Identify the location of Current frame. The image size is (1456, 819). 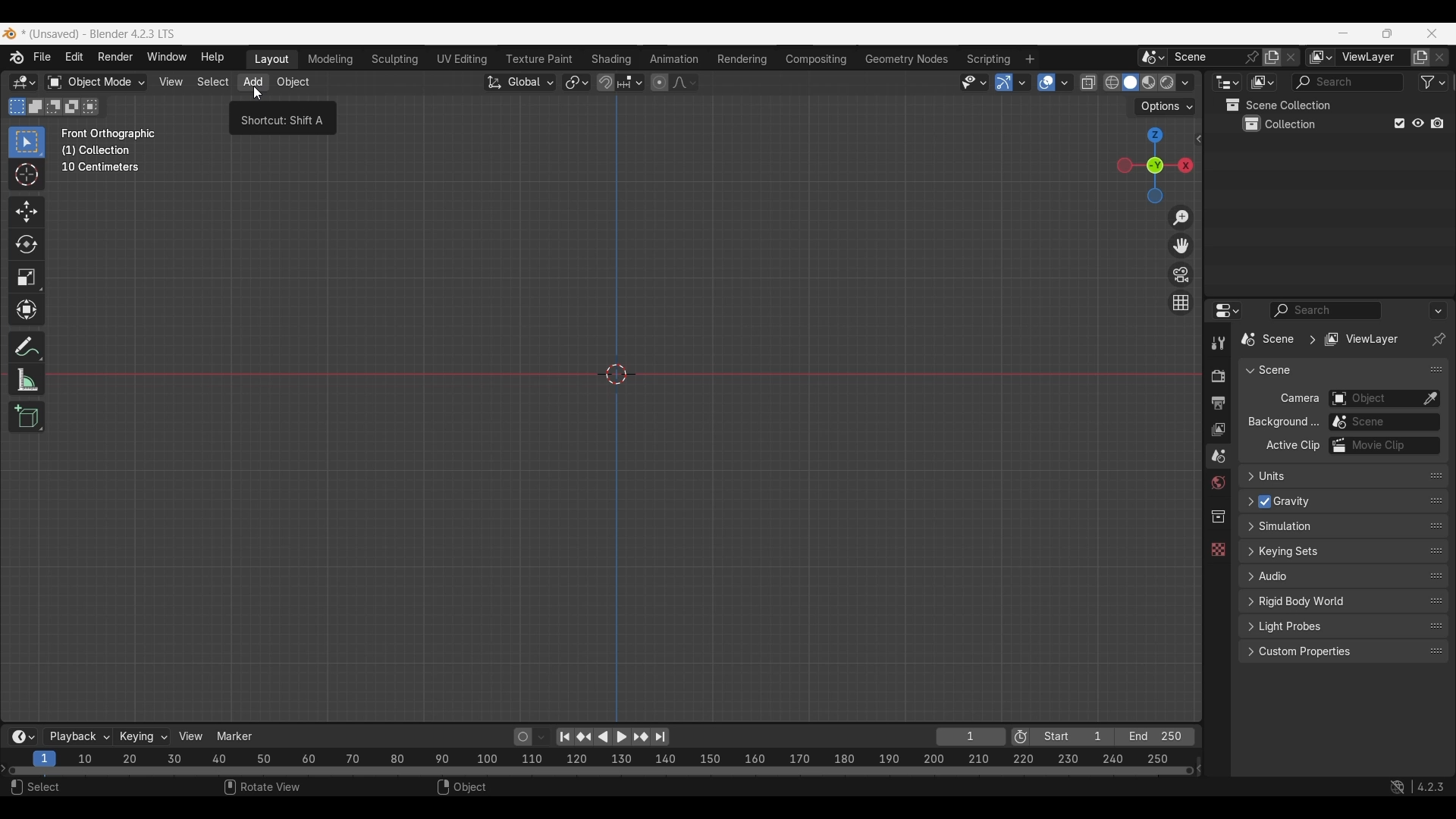
(971, 738).